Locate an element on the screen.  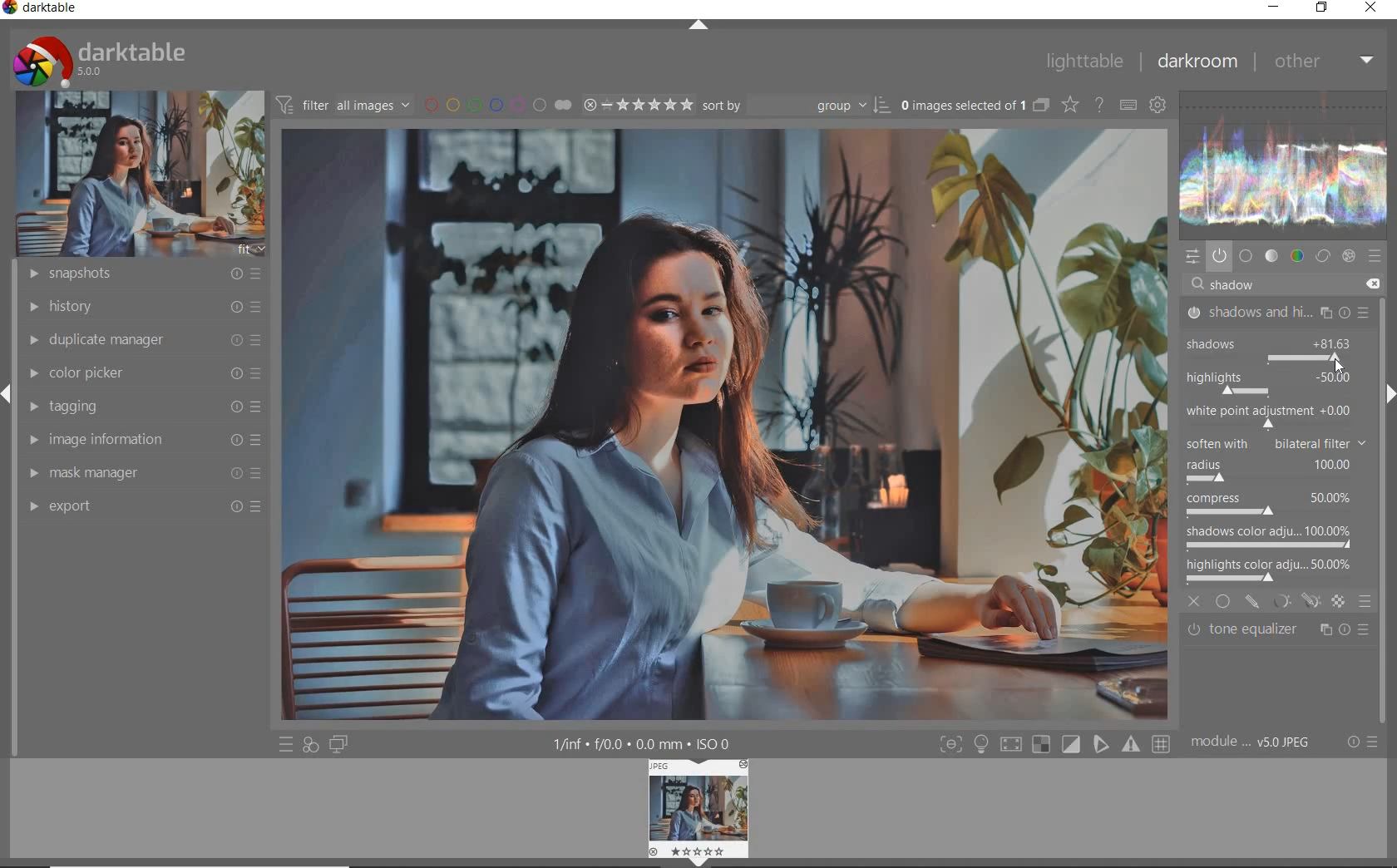
effect is located at coordinates (1350, 256).